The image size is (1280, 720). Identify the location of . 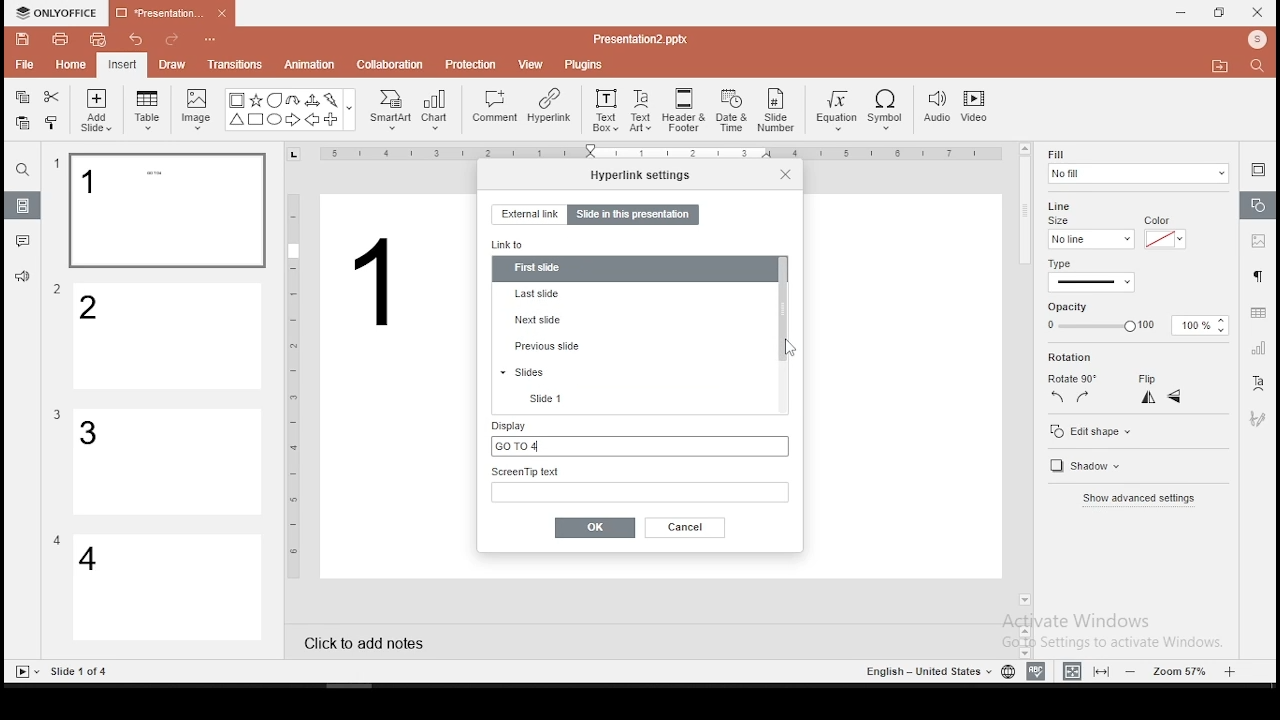
(57, 540).